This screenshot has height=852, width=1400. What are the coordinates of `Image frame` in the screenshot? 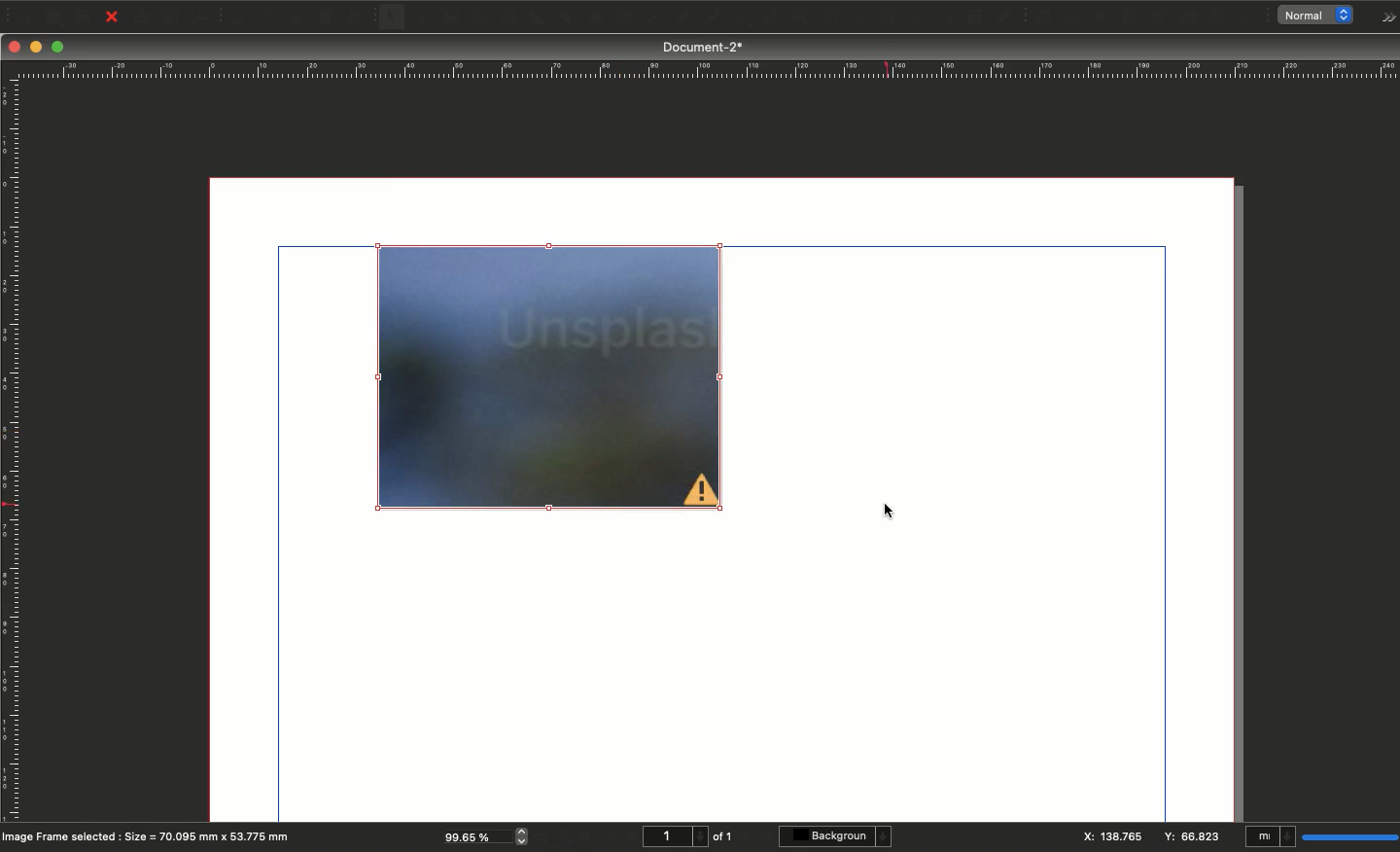 It's located at (453, 19).